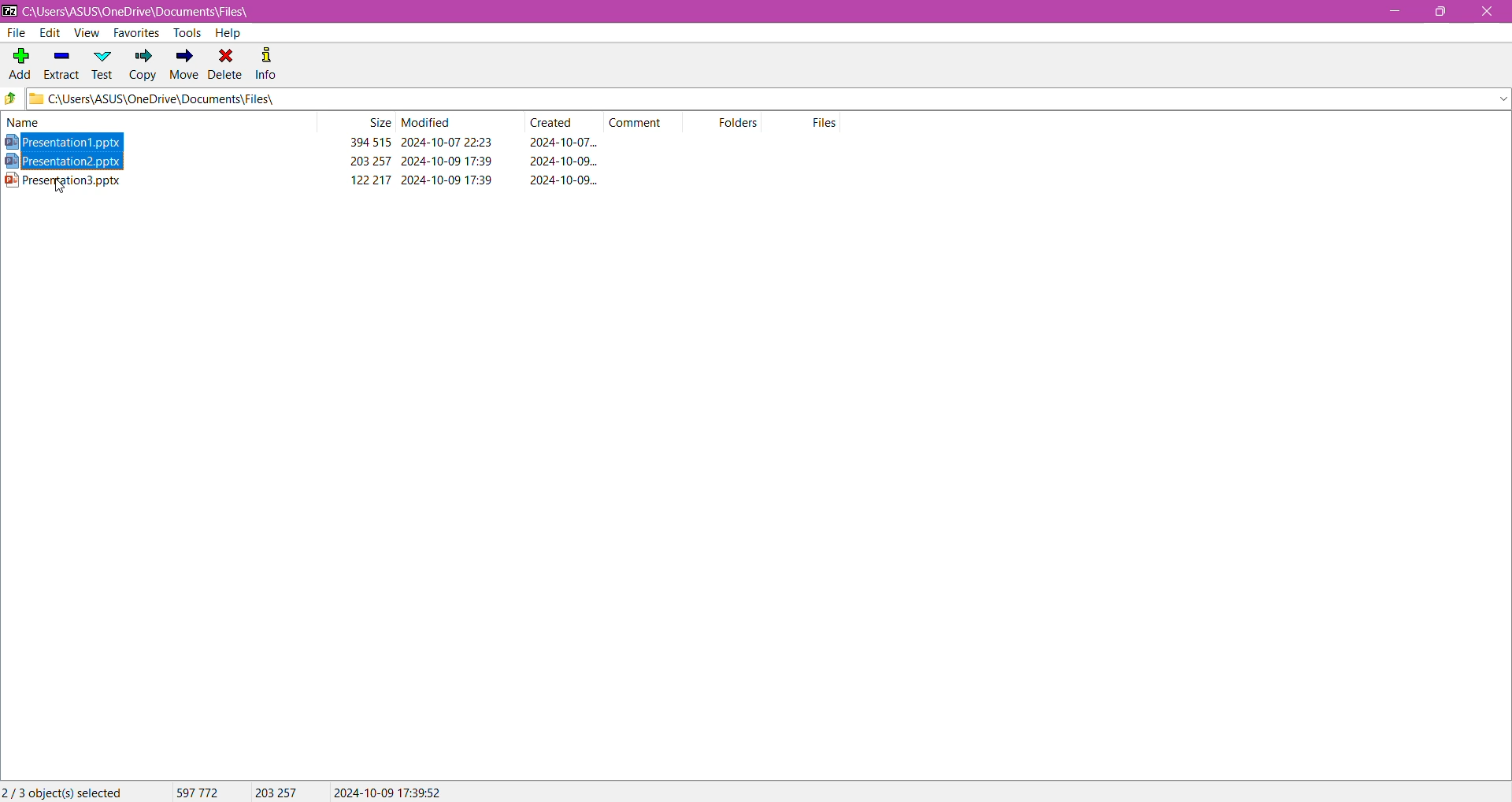 This screenshot has height=802, width=1512. What do you see at coordinates (61, 61) in the screenshot?
I see `Extract` at bounding box center [61, 61].